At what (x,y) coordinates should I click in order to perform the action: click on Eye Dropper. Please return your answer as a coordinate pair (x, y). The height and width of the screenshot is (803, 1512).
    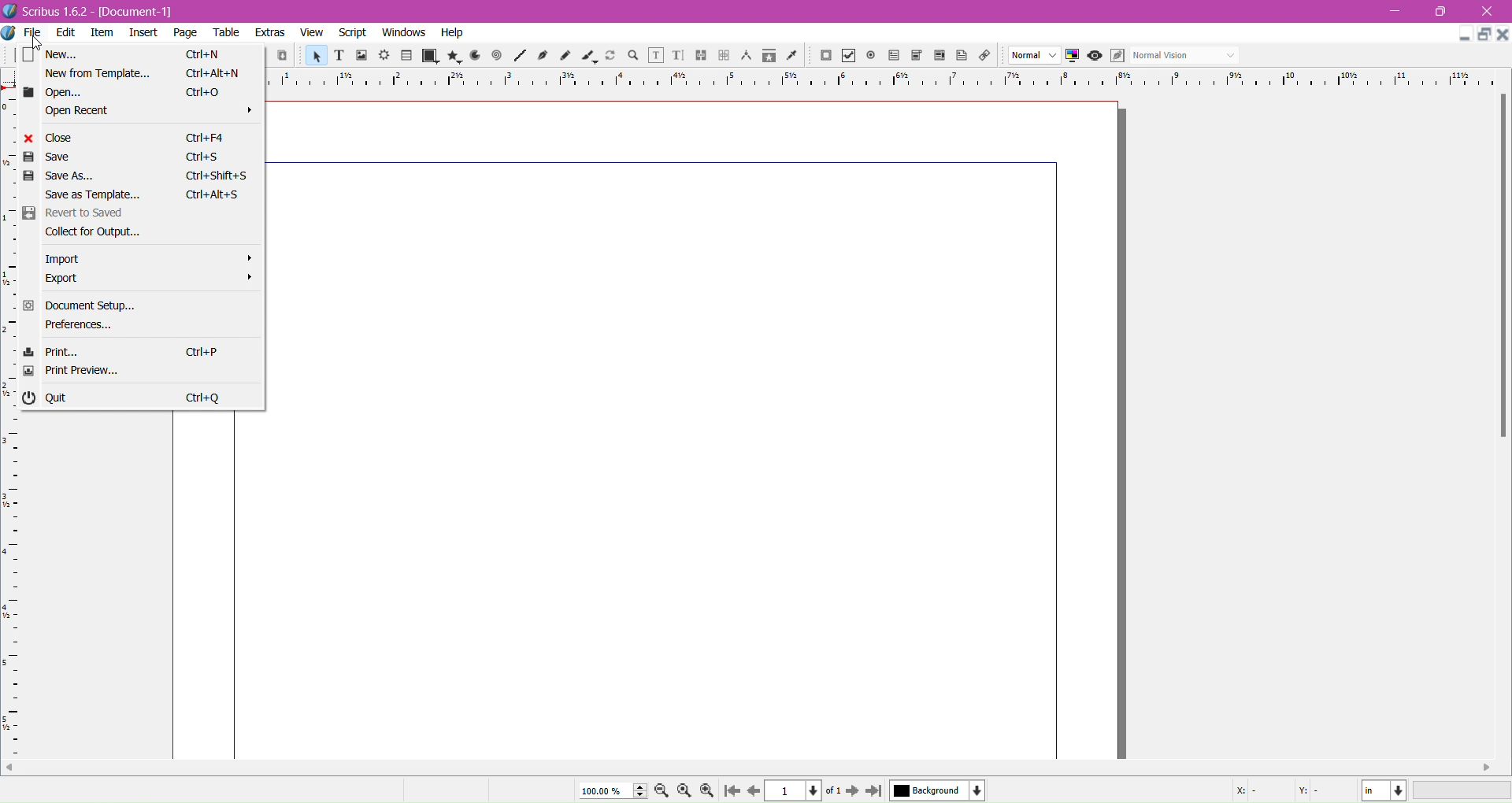
    Looking at the image, I should click on (792, 54).